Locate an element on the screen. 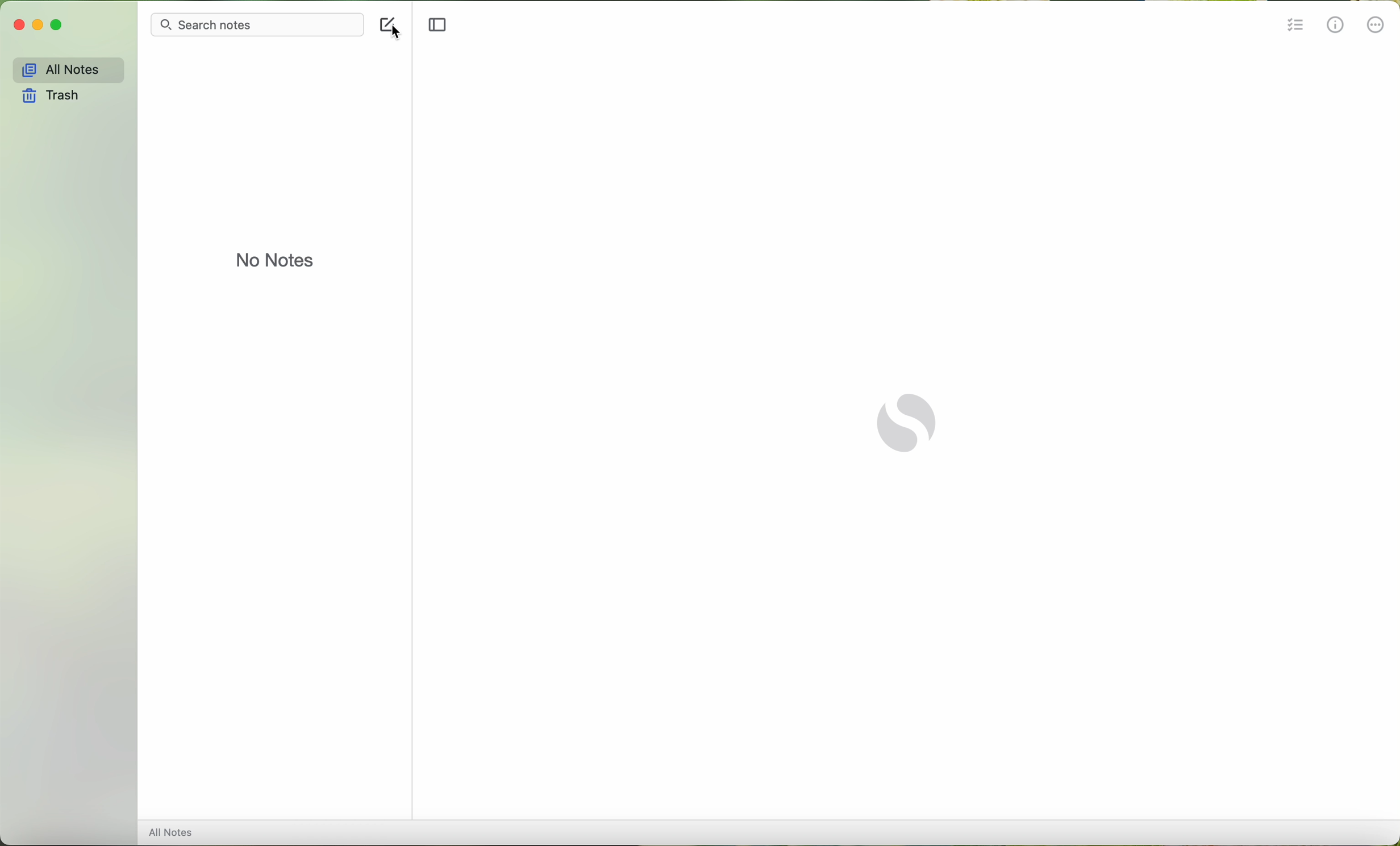 This screenshot has width=1400, height=846. cursor is located at coordinates (398, 35).